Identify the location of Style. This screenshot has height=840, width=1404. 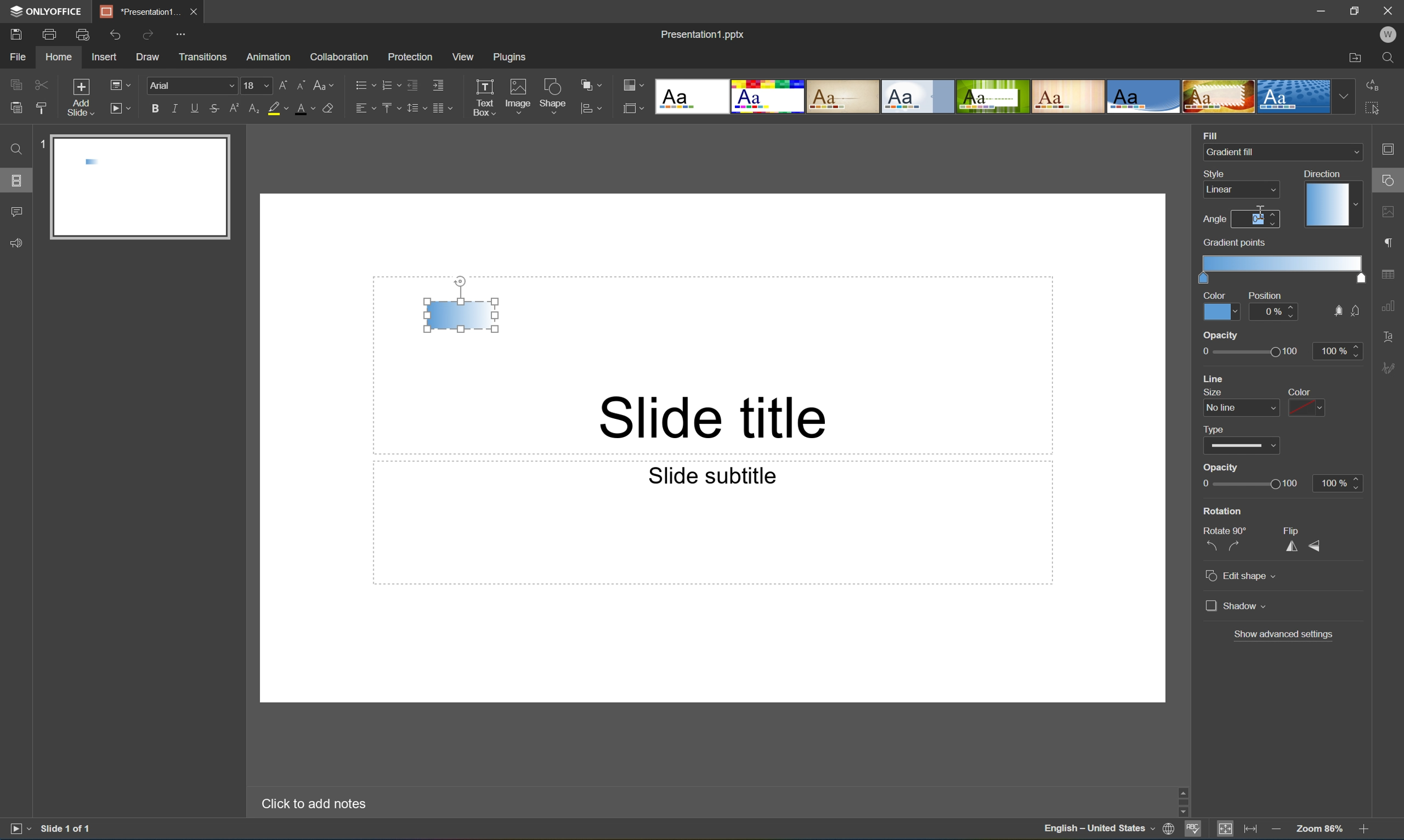
(1216, 173).